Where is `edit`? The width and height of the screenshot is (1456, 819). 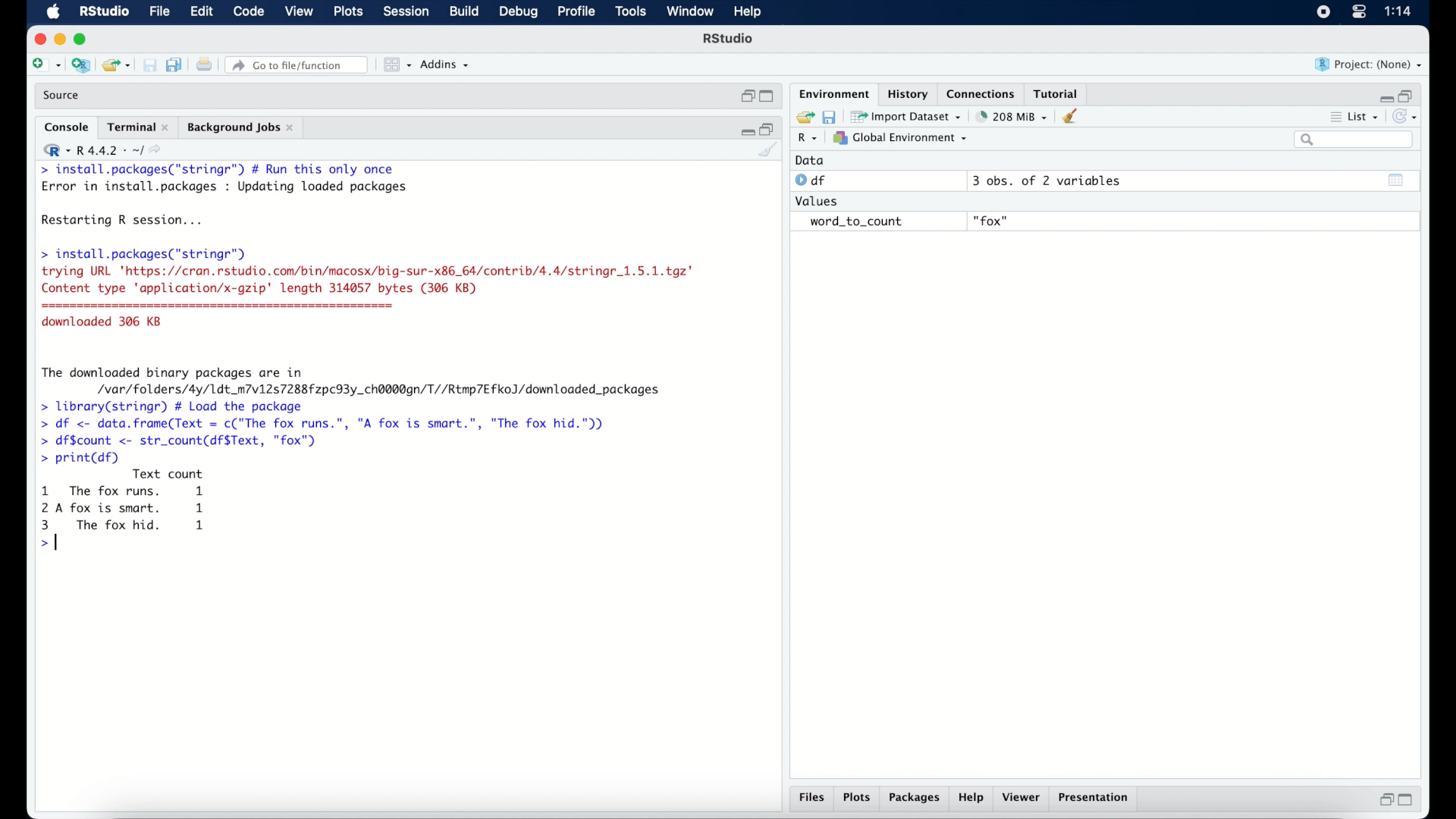
edit is located at coordinates (201, 12).